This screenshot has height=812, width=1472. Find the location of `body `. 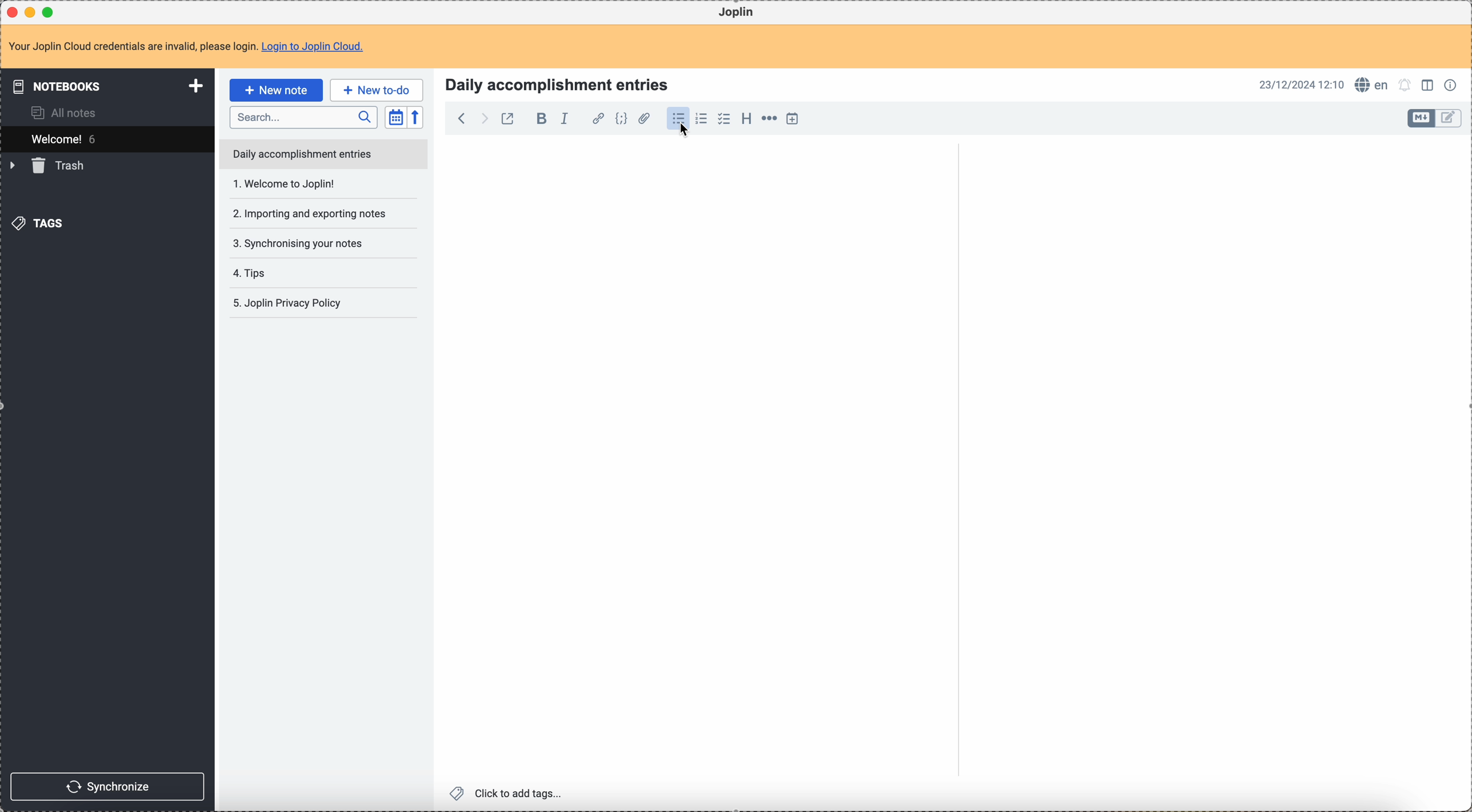

body  is located at coordinates (1209, 475).